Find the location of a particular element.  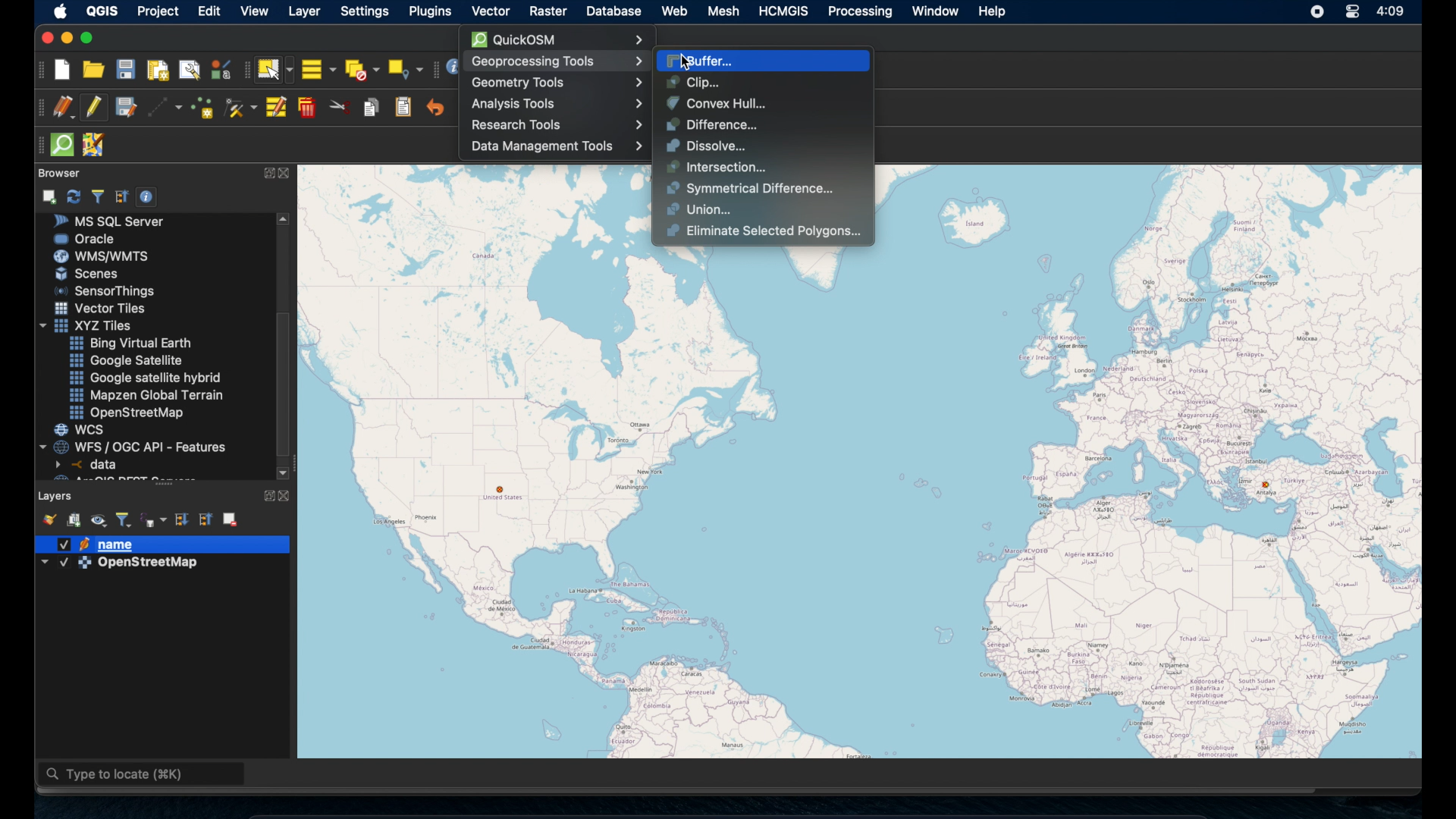

openstreetmap is located at coordinates (130, 413).